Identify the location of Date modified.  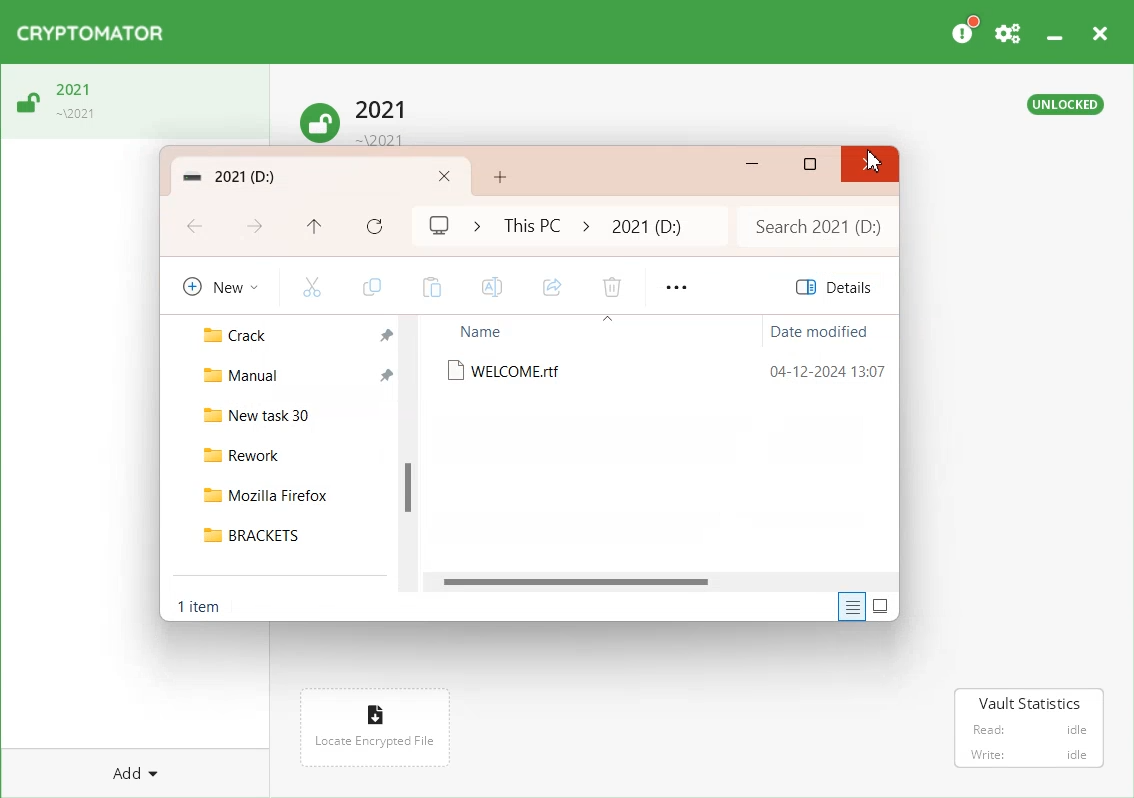
(830, 330).